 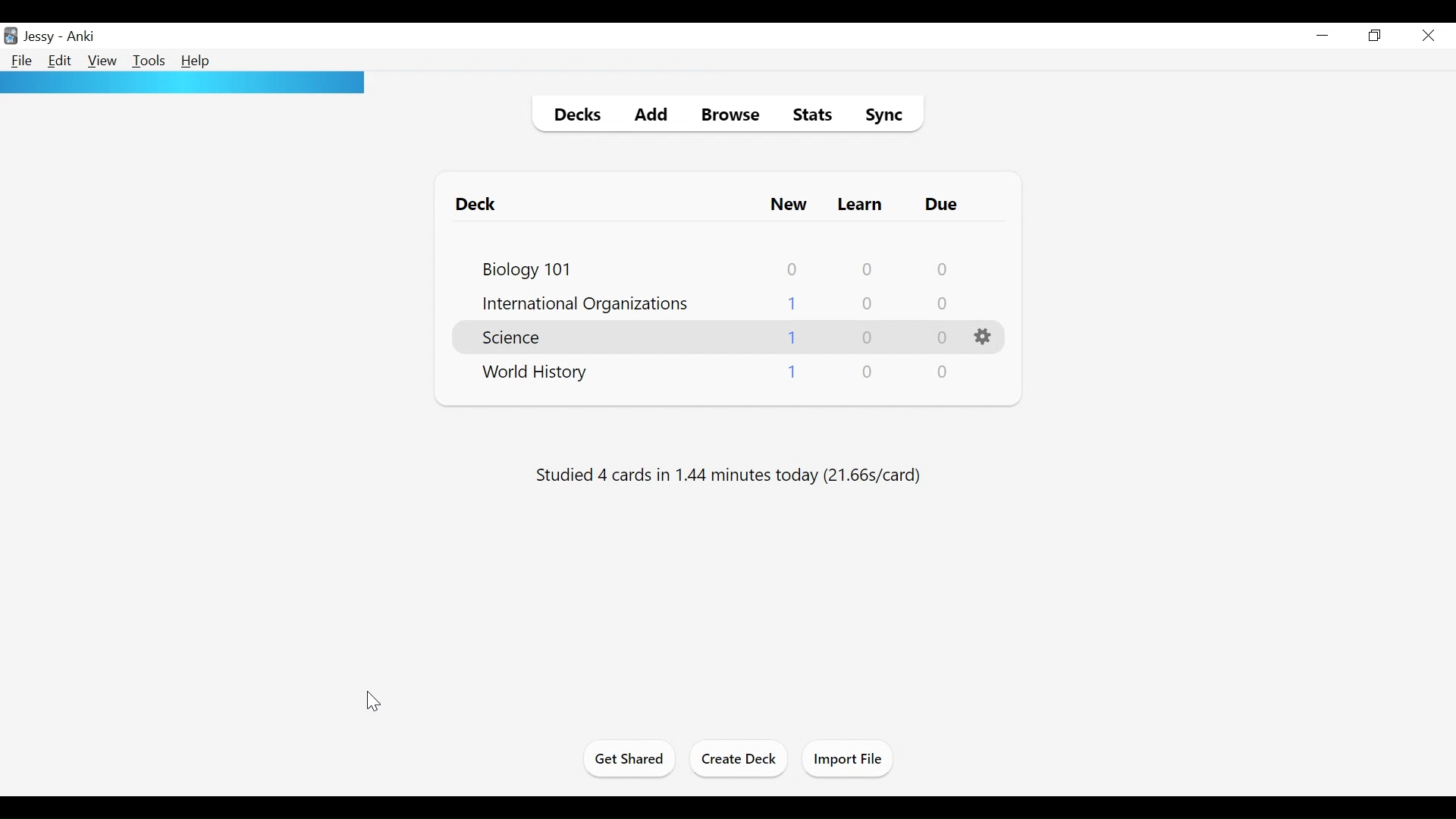 What do you see at coordinates (868, 372) in the screenshot?
I see `Learn Cards Count` at bounding box center [868, 372].